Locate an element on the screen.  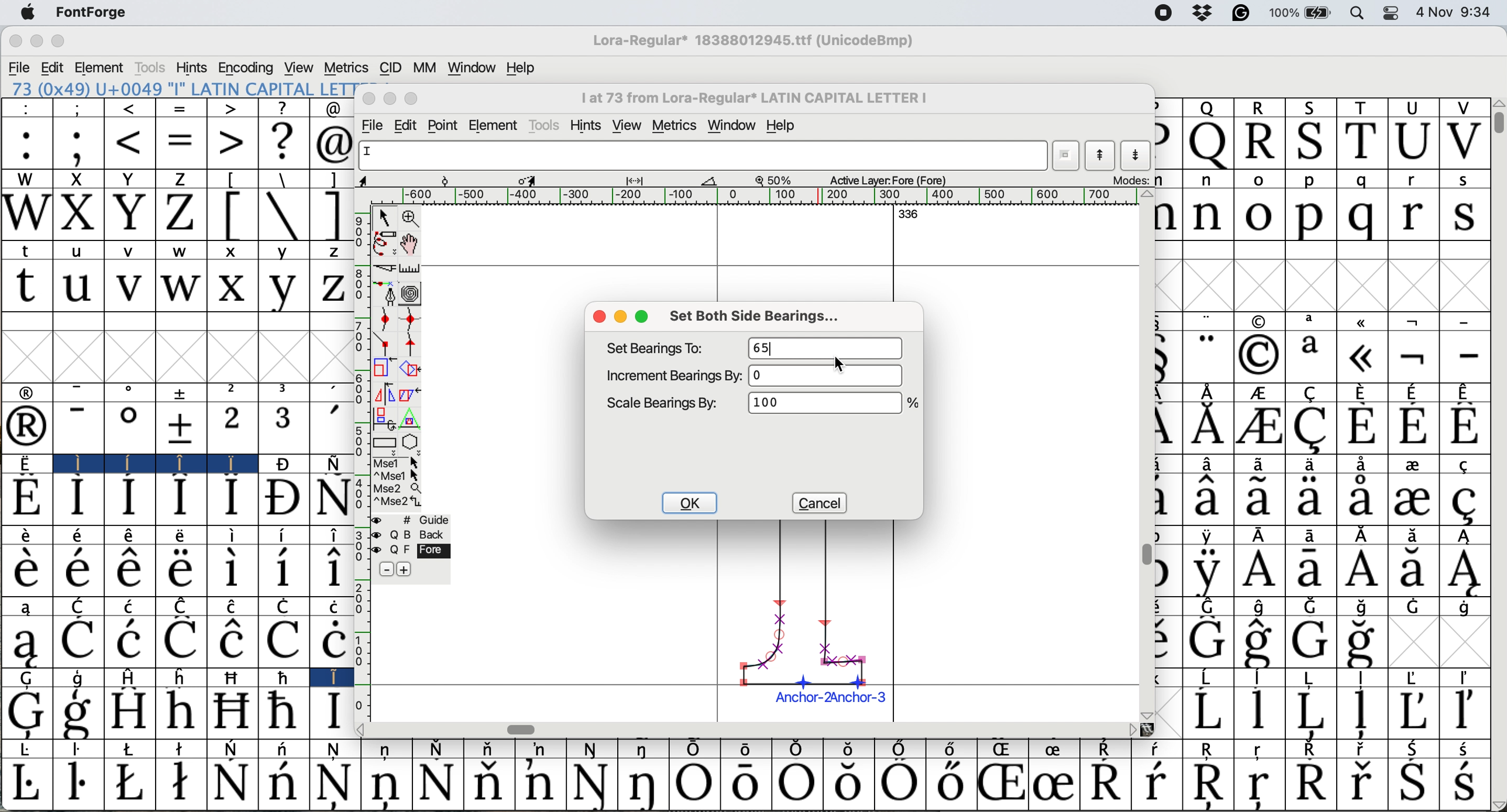
Symbol is located at coordinates (25, 642).